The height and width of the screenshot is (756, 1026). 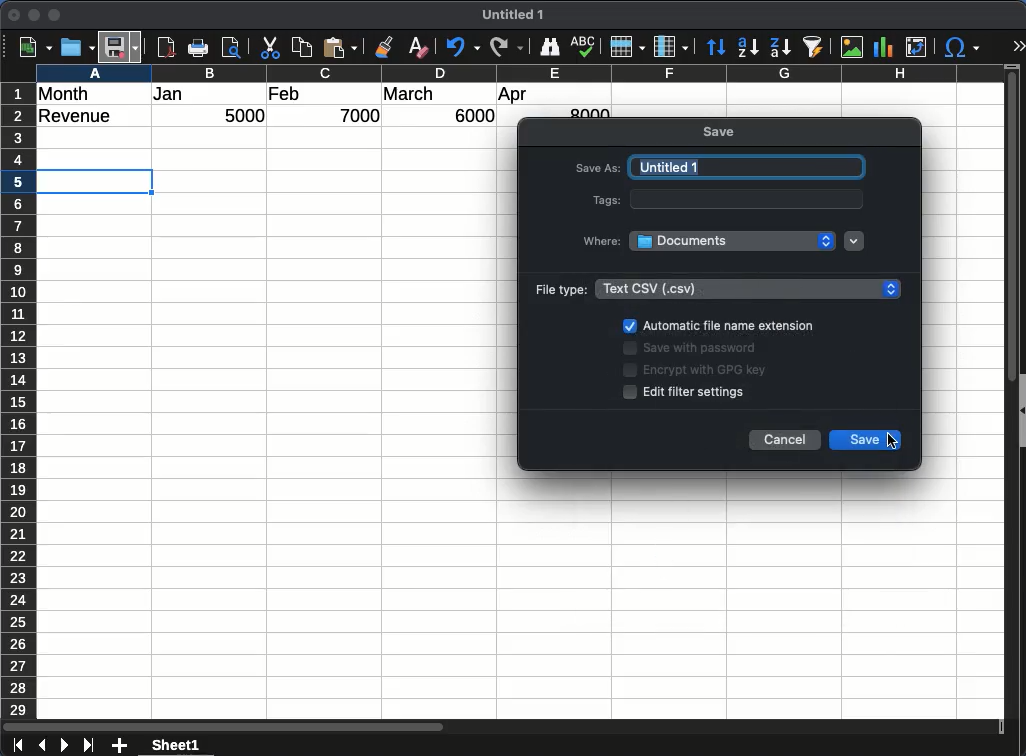 I want to click on autofilter, so click(x=813, y=47).